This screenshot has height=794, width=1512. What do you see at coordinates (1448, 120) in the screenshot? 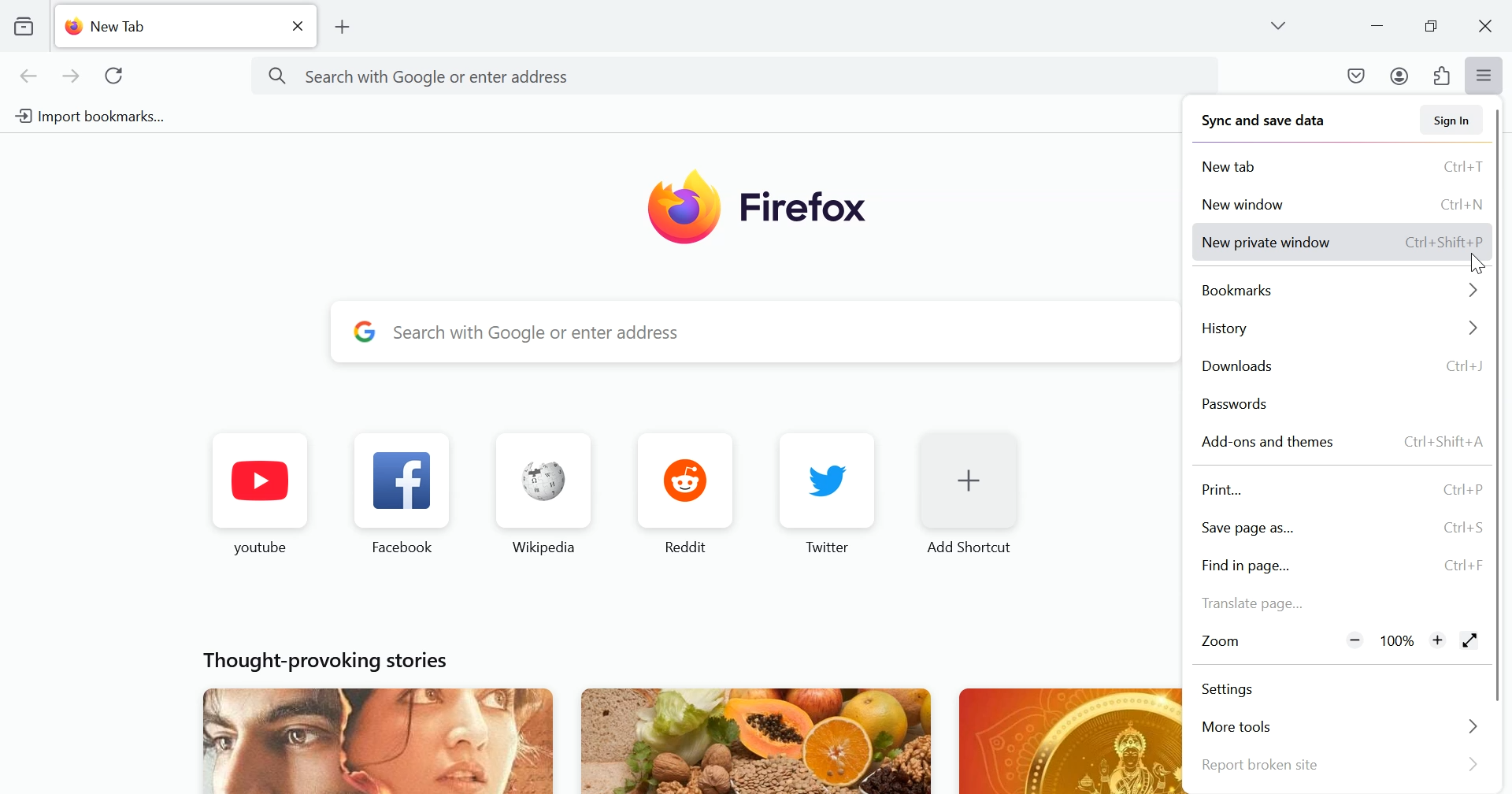
I see `Sign in` at bounding box center [1448, 120].